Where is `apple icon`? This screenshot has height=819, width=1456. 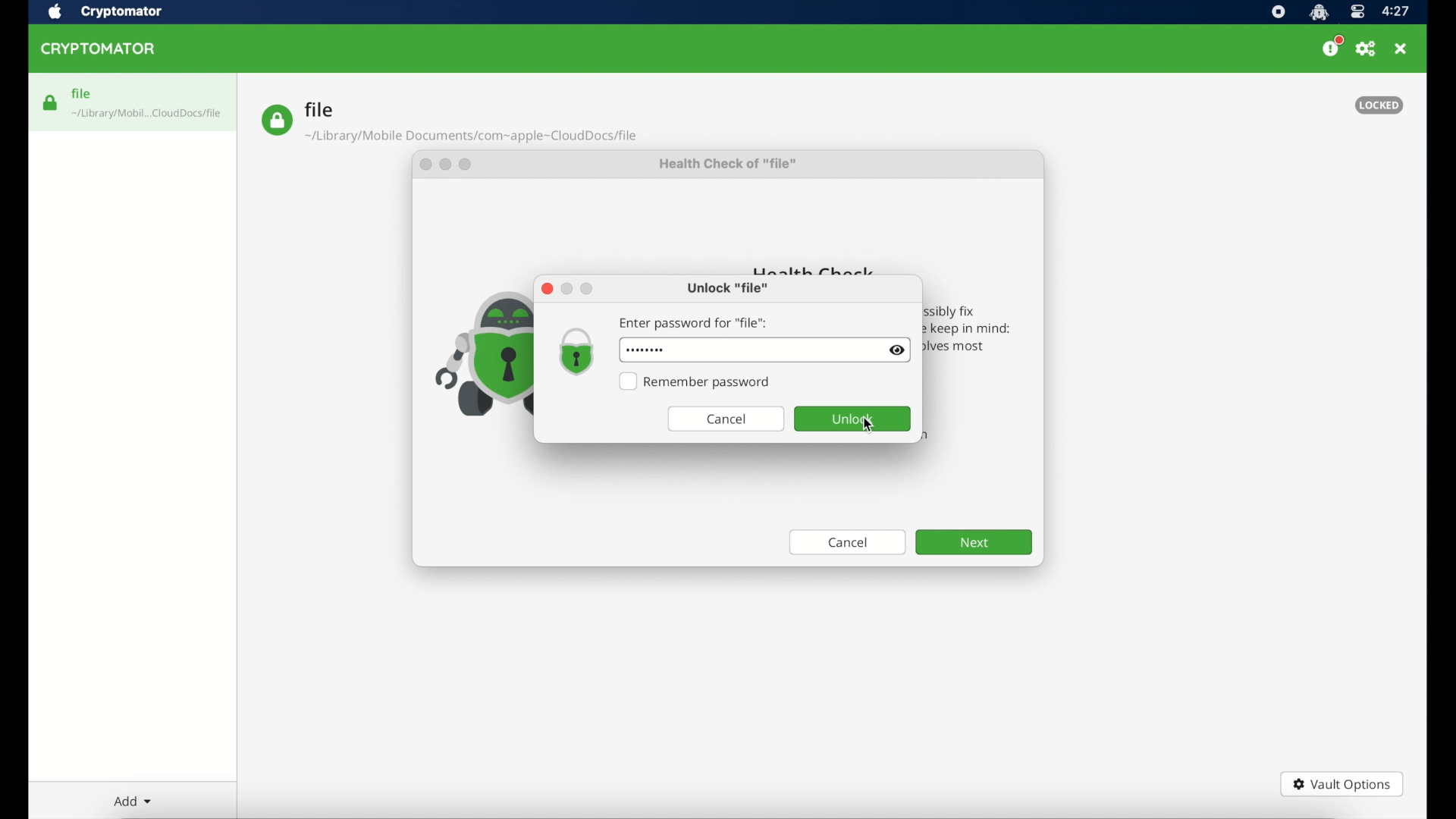
apple icon is located at coordinates (55, 12).